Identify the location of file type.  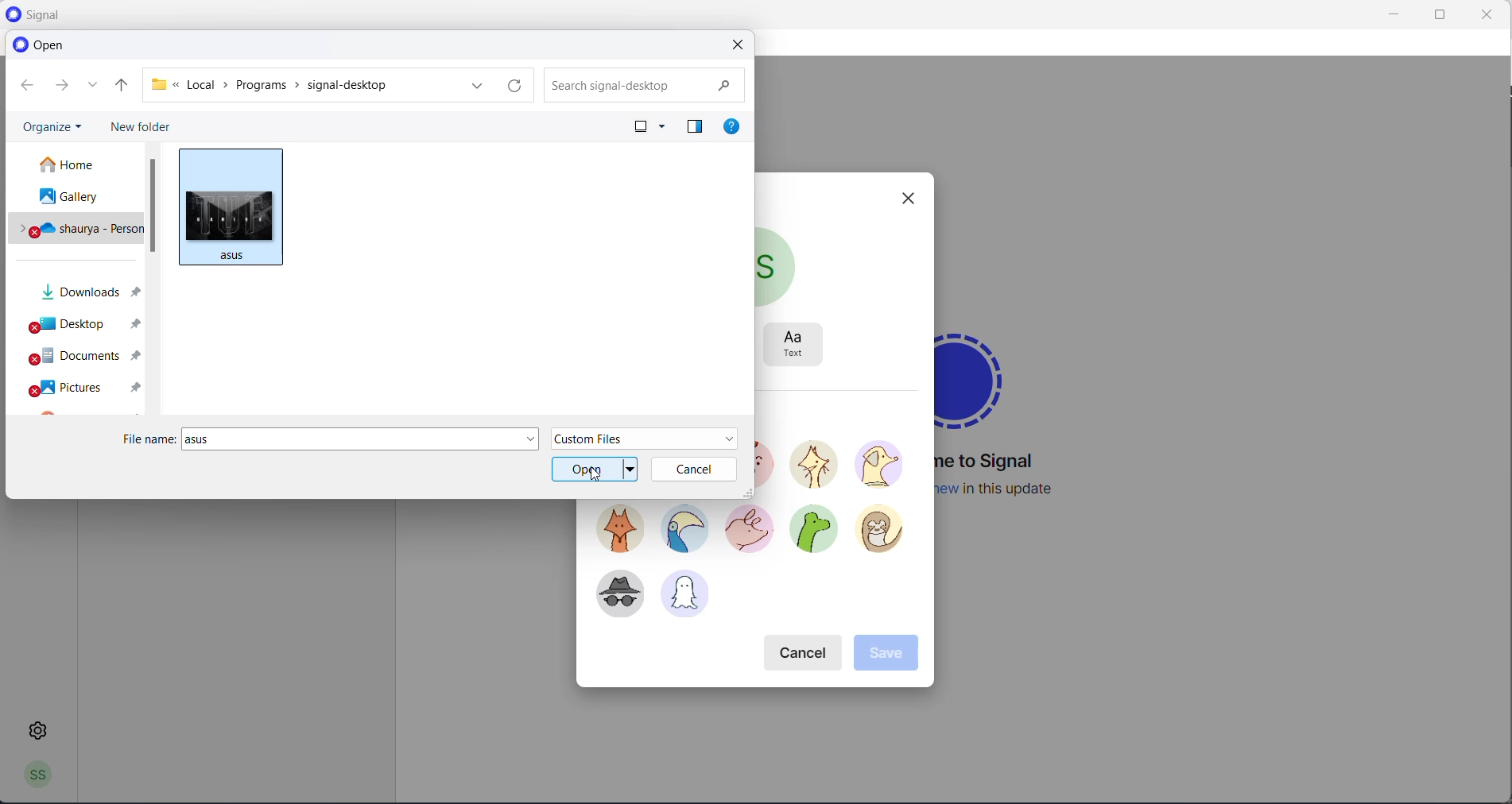
(645, 439).